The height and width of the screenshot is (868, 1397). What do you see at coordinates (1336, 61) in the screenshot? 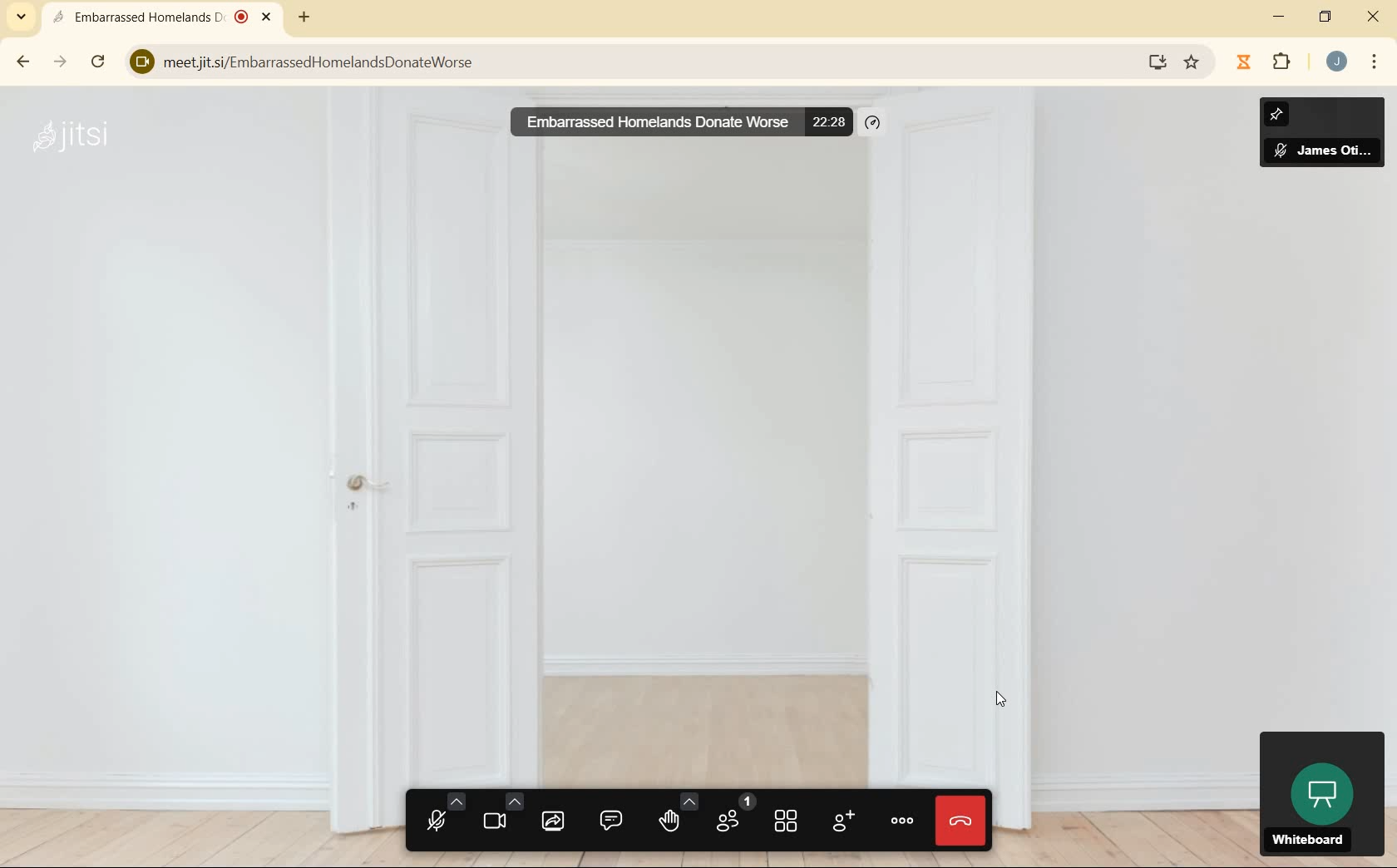
I see `account` at bounding box center [1336, 61].